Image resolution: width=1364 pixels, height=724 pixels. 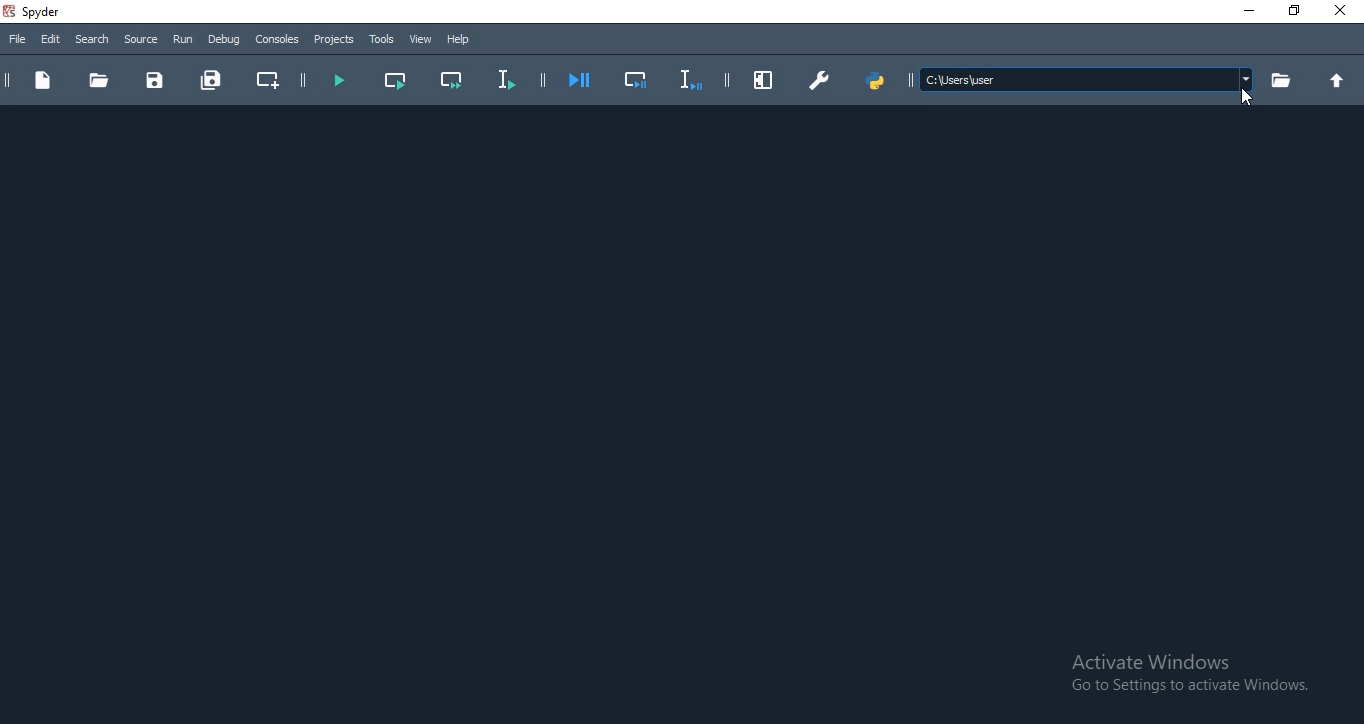 What do you see at coordinates (460, 40) in the screenshot?
I see `help` at bounding box center [460, 40].